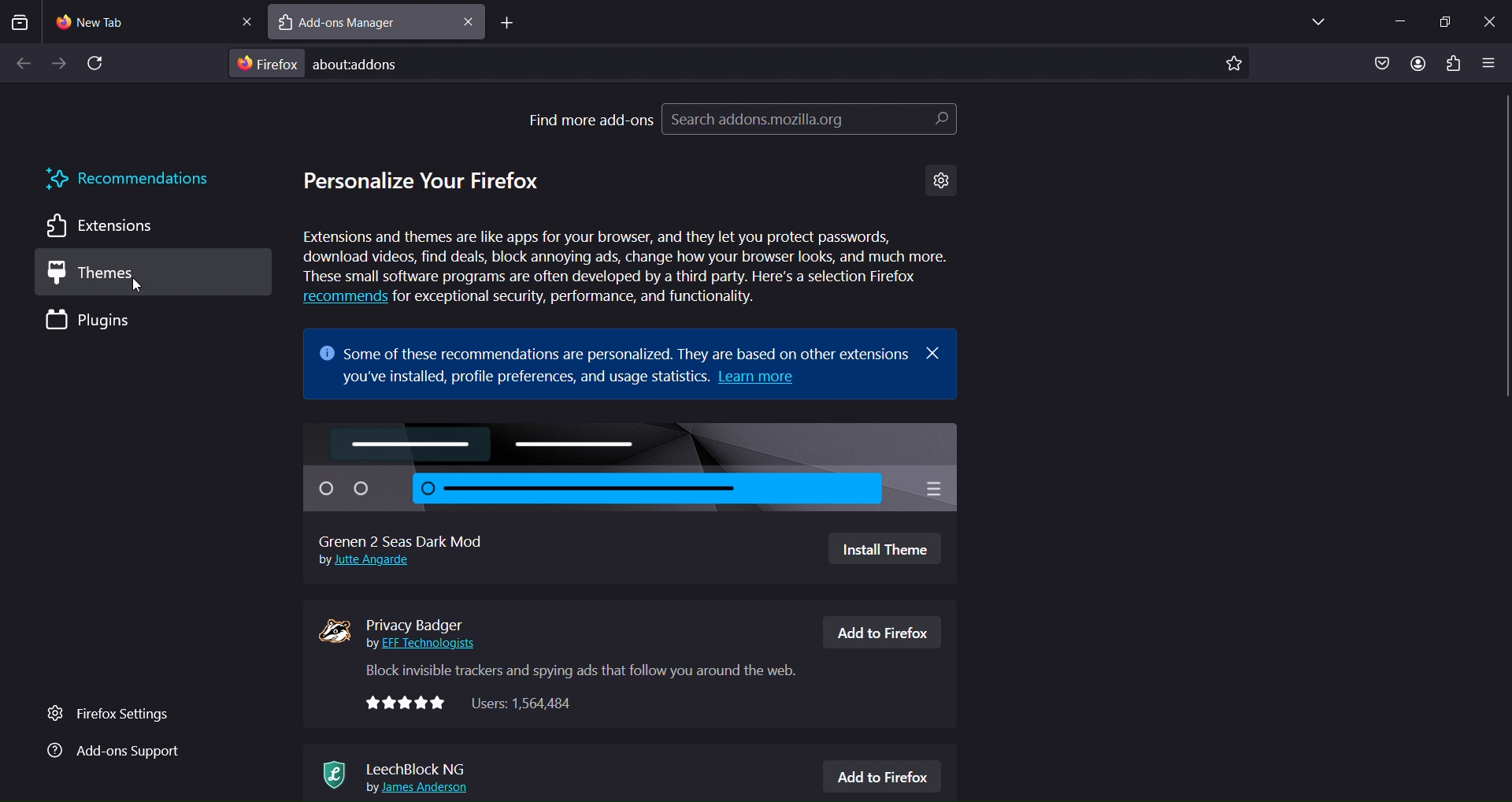  Describe the element at coordinates (112, 275) in the screenshot. I see `themes` at that location.